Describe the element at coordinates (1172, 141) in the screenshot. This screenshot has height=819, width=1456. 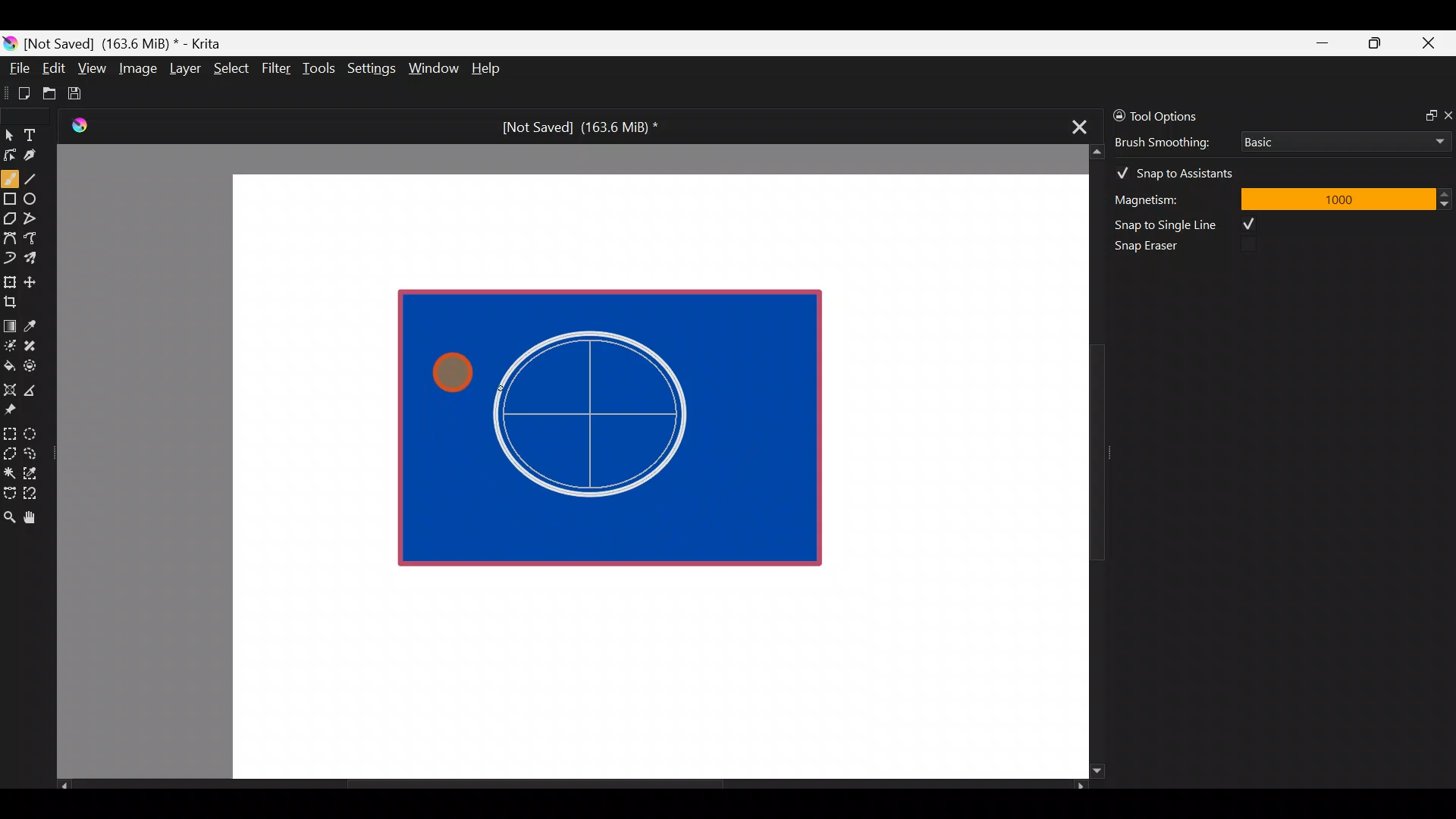
I see `Brush smoothing` at that location.